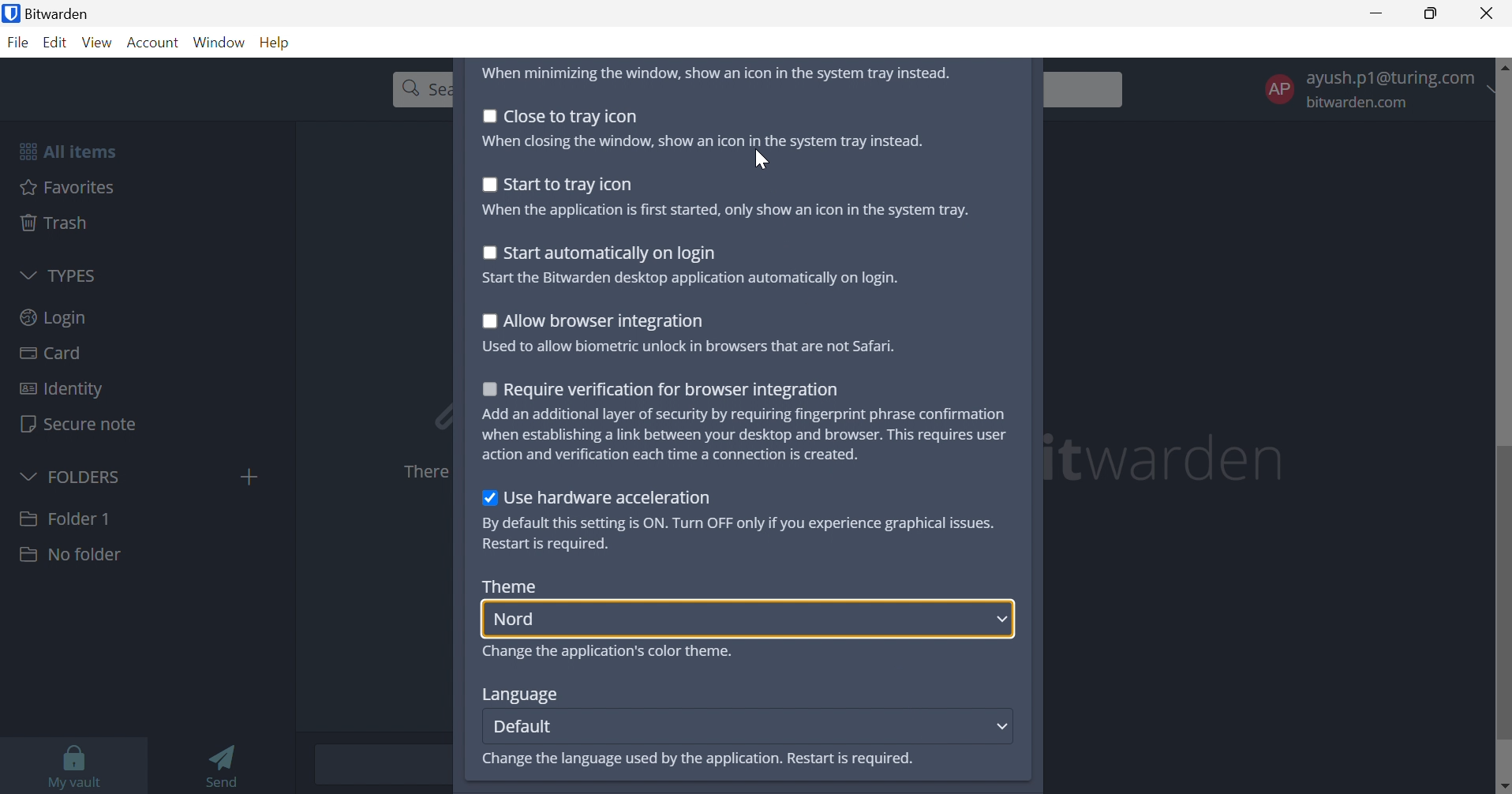  Describe the element at coordinates (746, 435) in the screenshot. I see `when establishing a link between your desktop and browser. This requires user` at that location.